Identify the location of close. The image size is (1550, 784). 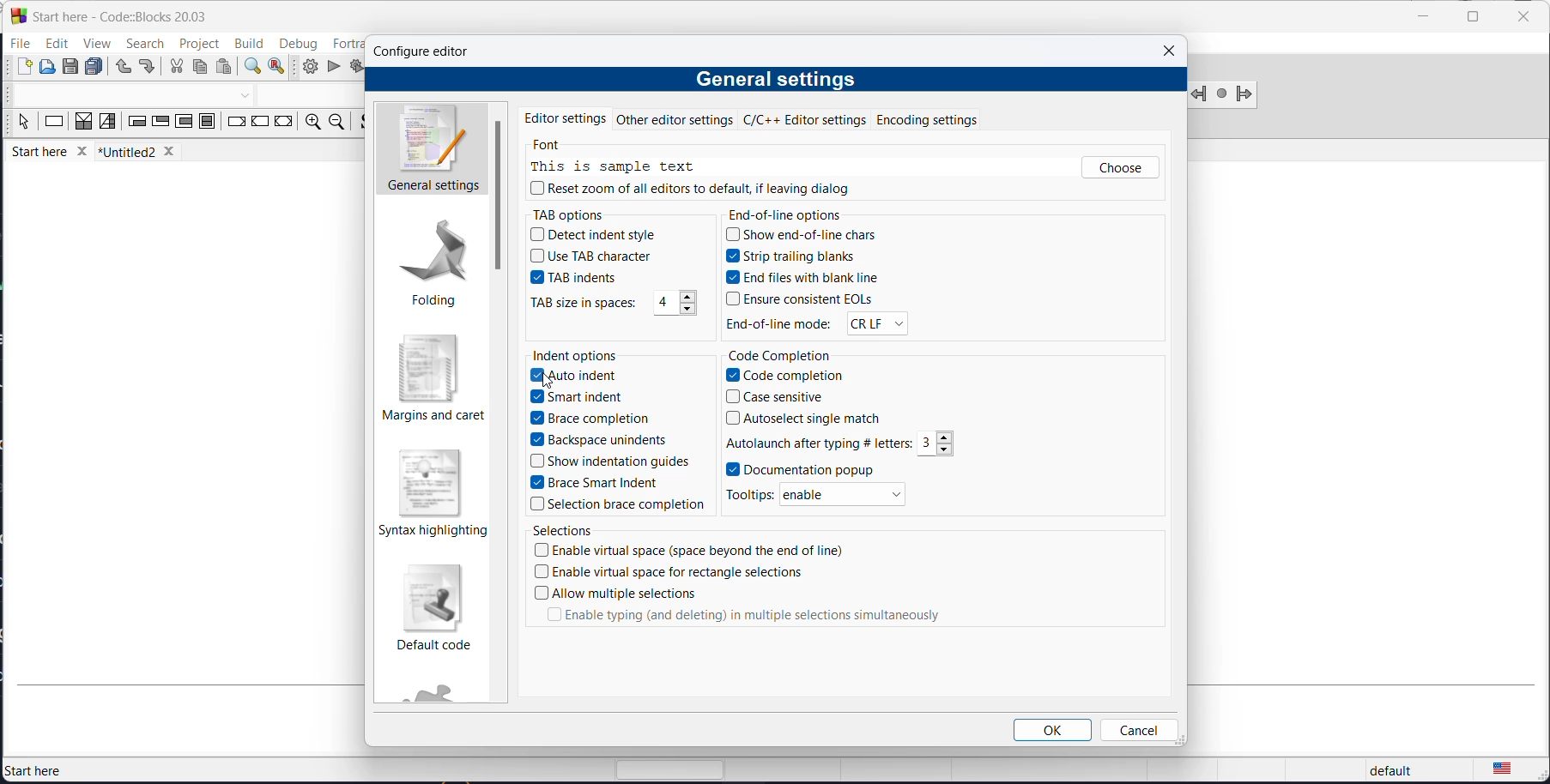
(1172, 50).